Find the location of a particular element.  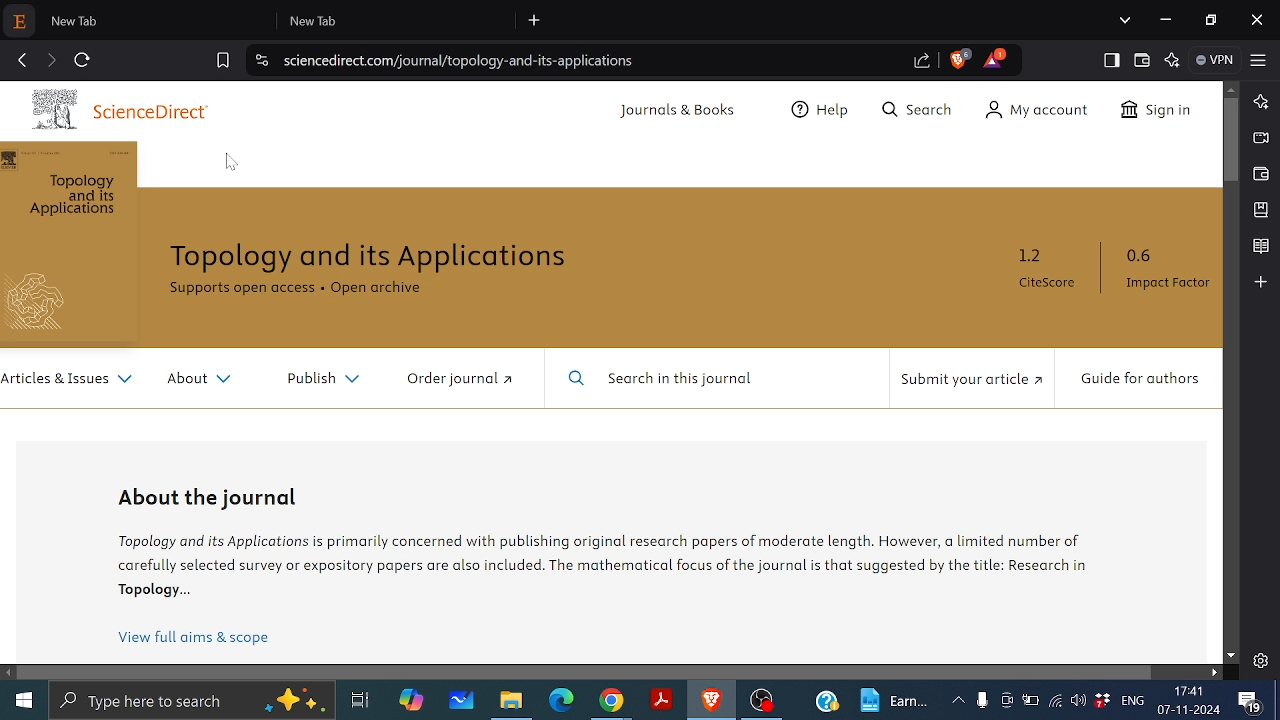

Reading list is located at coordinates (1260, 246).